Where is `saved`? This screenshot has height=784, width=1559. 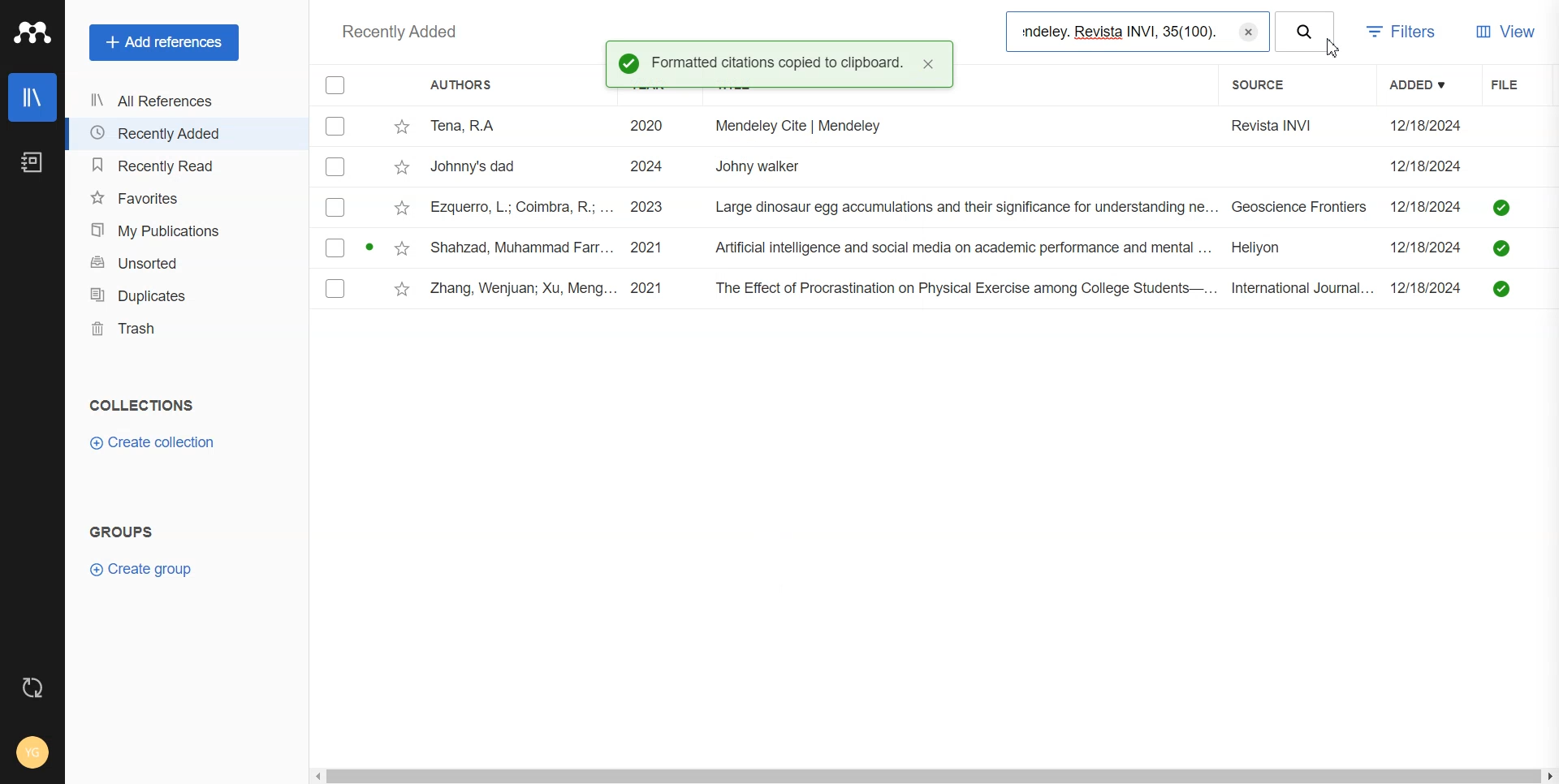 saved is located at coordinates (1501, 288).